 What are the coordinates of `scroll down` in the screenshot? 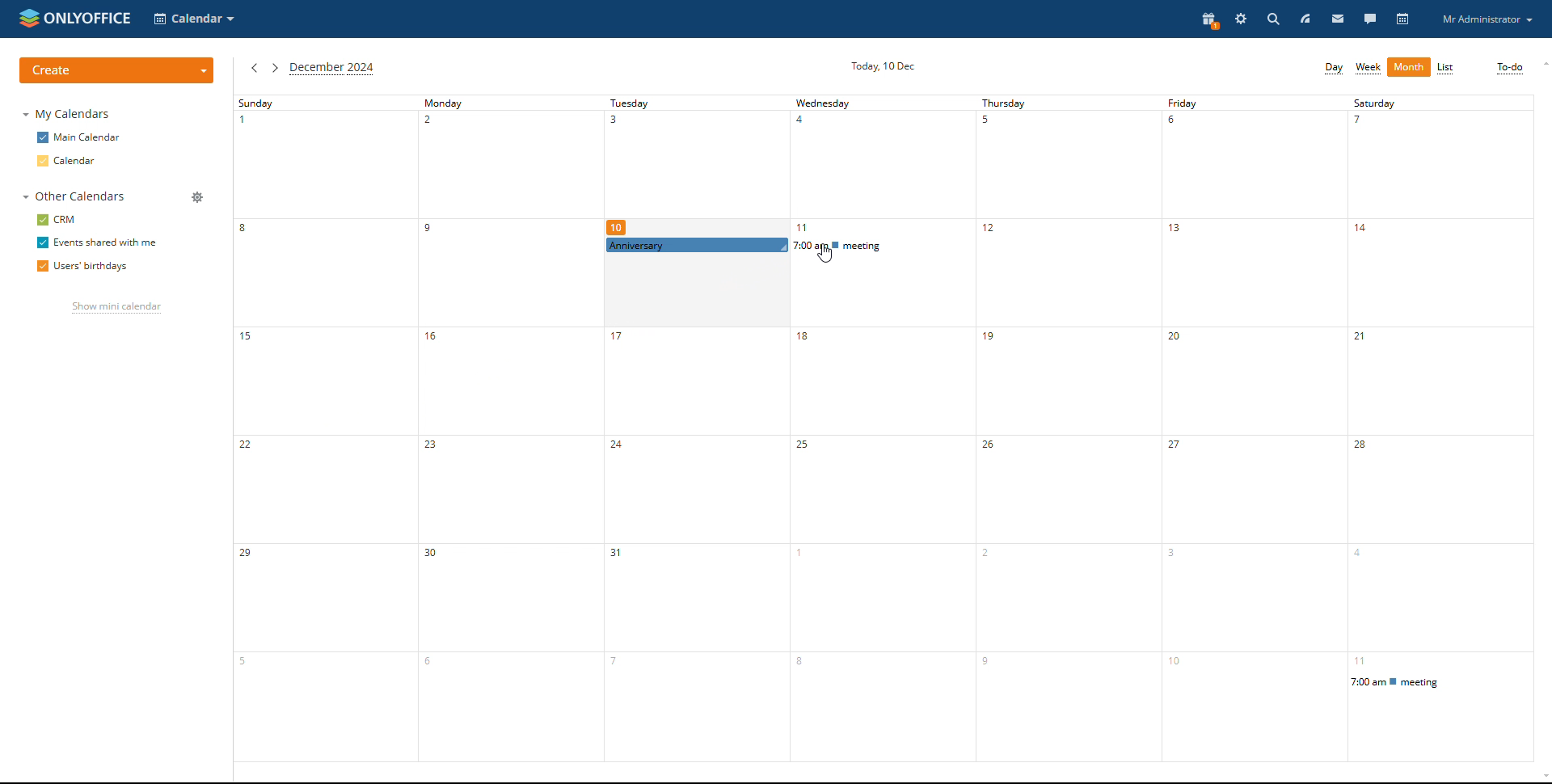 It's located at (1539, 775).